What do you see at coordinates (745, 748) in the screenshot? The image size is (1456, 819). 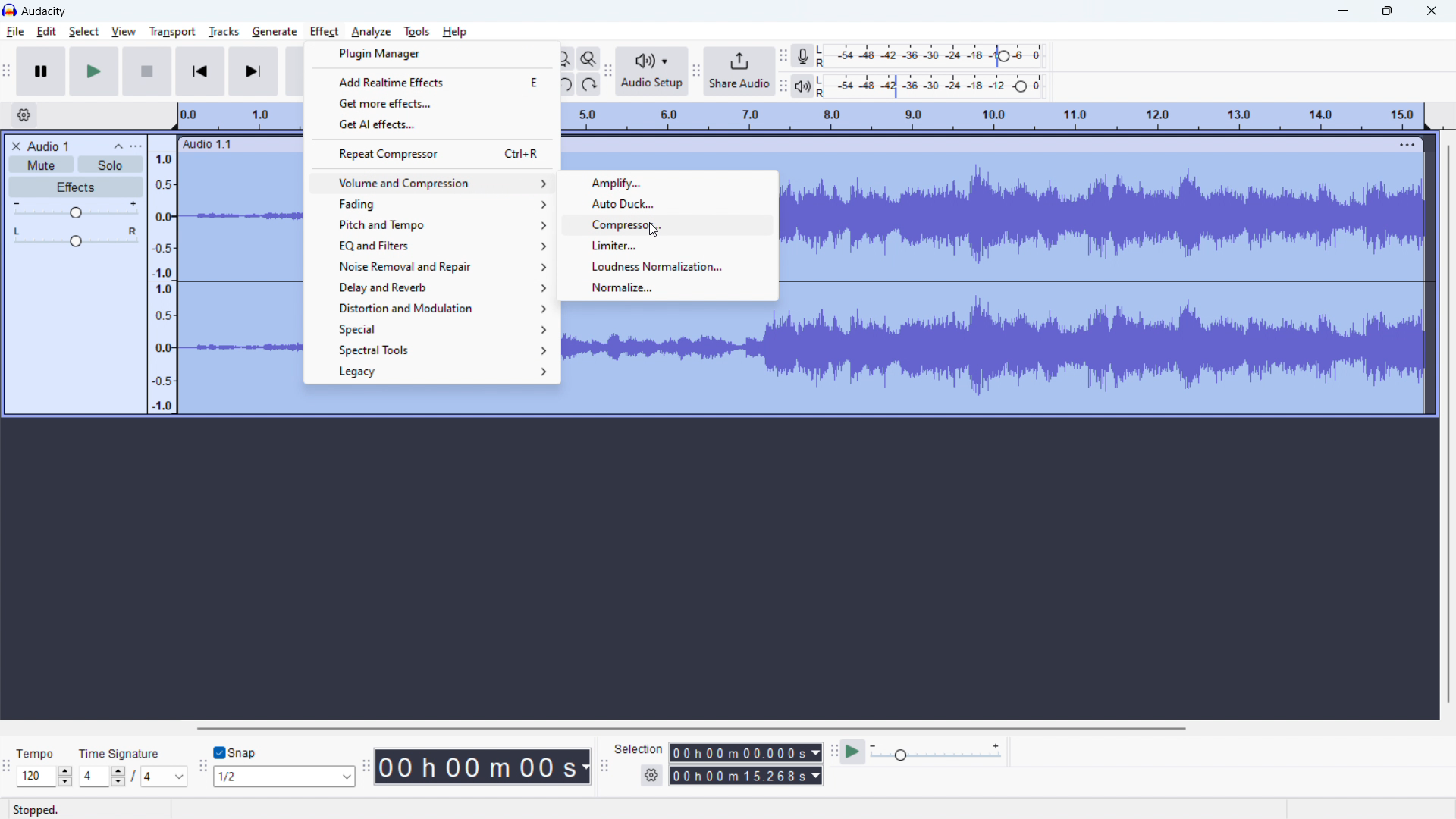 I see `00h00m00.000s (start time)` at bounding box center [745, 748].